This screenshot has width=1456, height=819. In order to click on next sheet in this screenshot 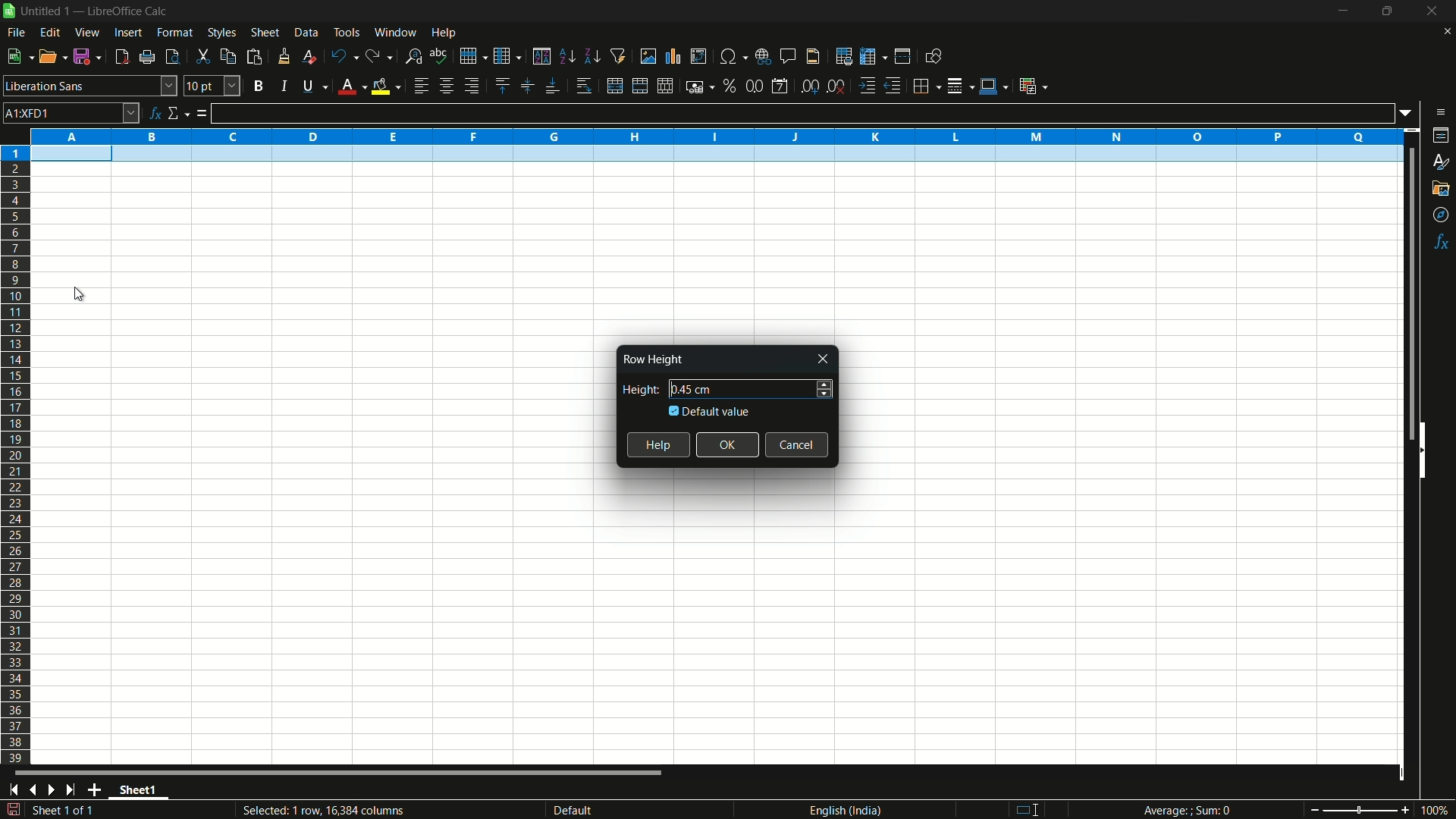, I will do `click(55, 789)`.